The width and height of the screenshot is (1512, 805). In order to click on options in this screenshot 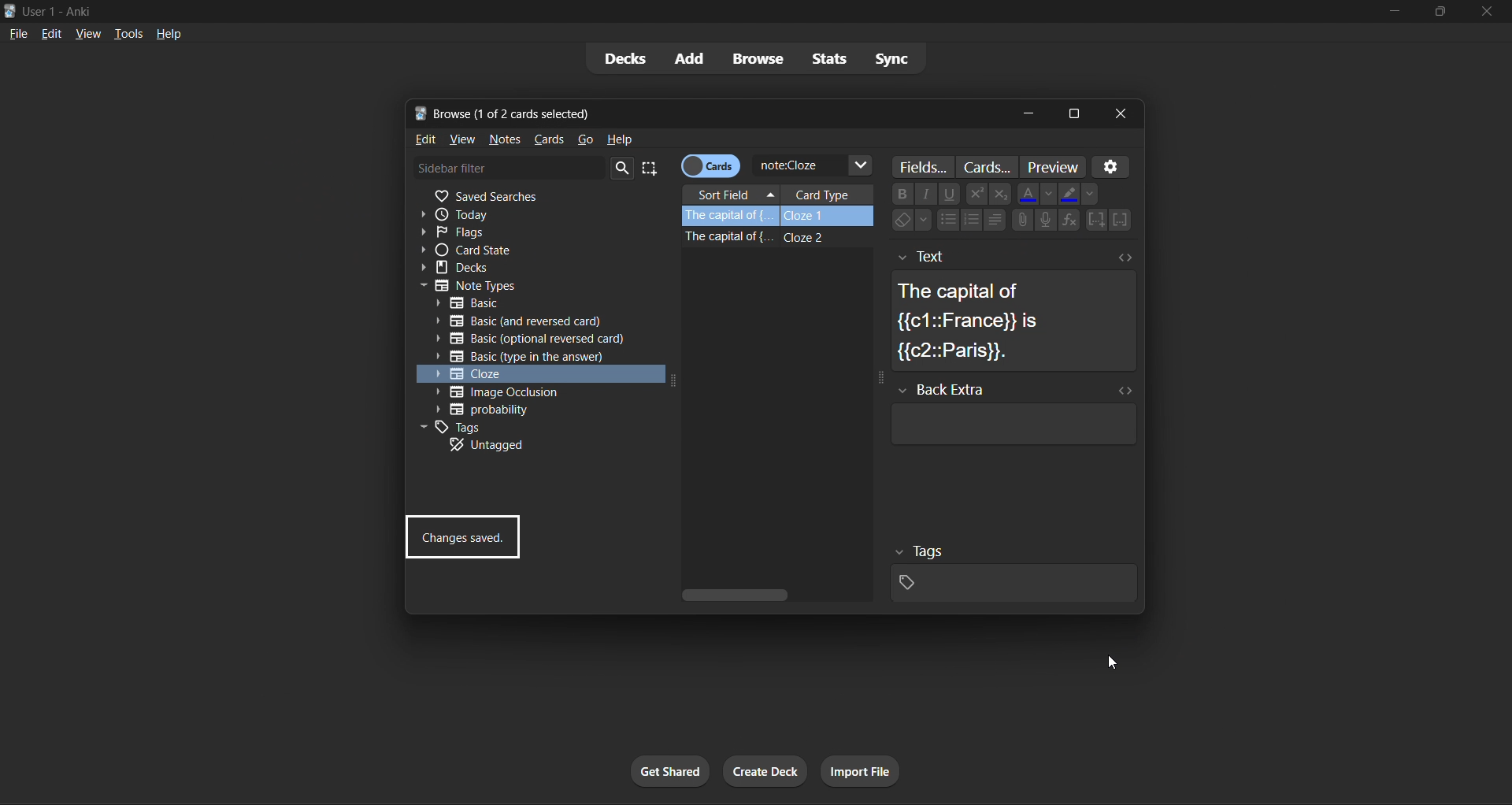, I will do `click(1114, 166)`.